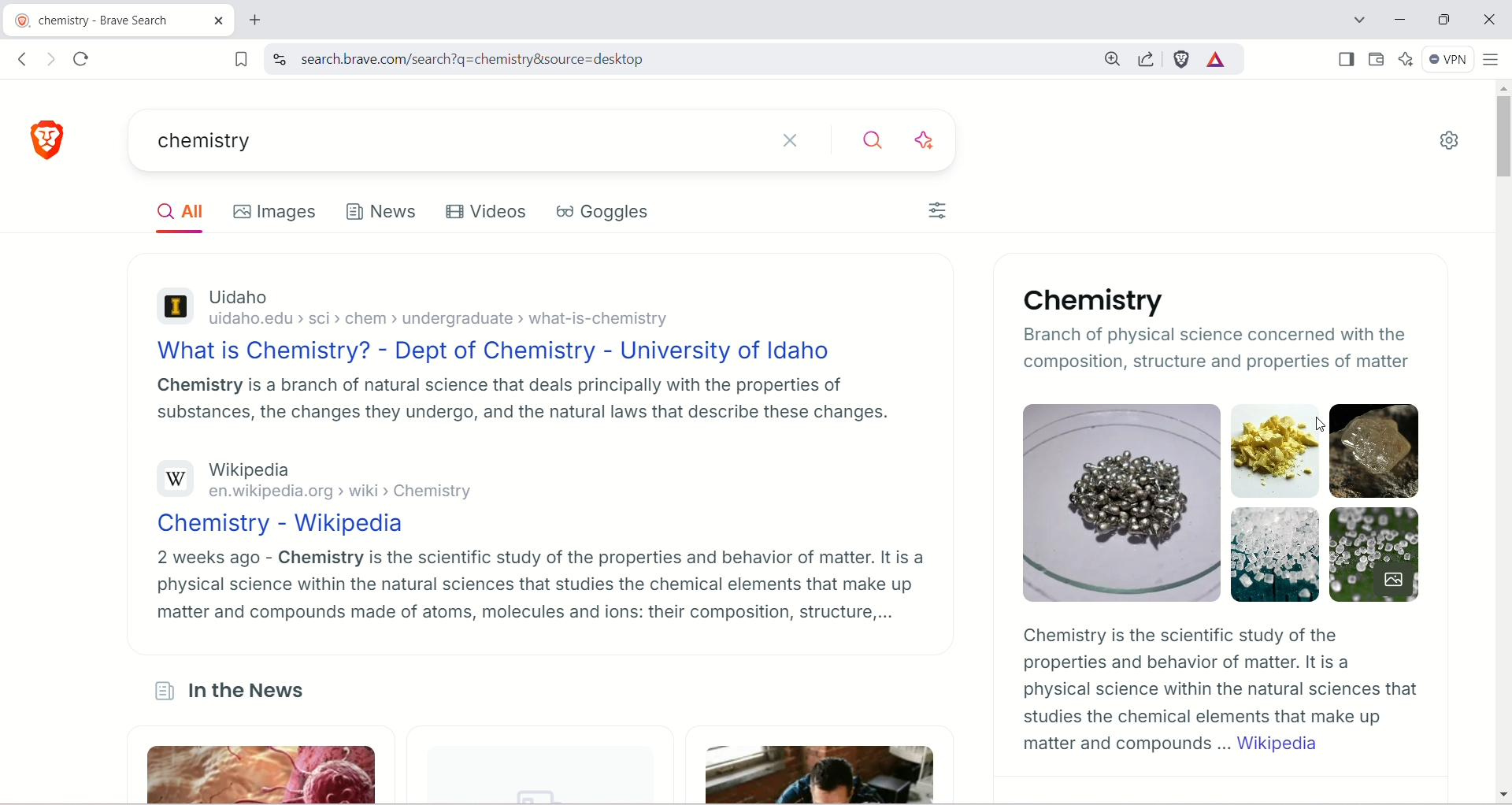 The image size is (1512, 805). What do you see at coordinates (1110, 58) in the screenshot?
I see `Zoom ` at bounding box center [1110, 58].